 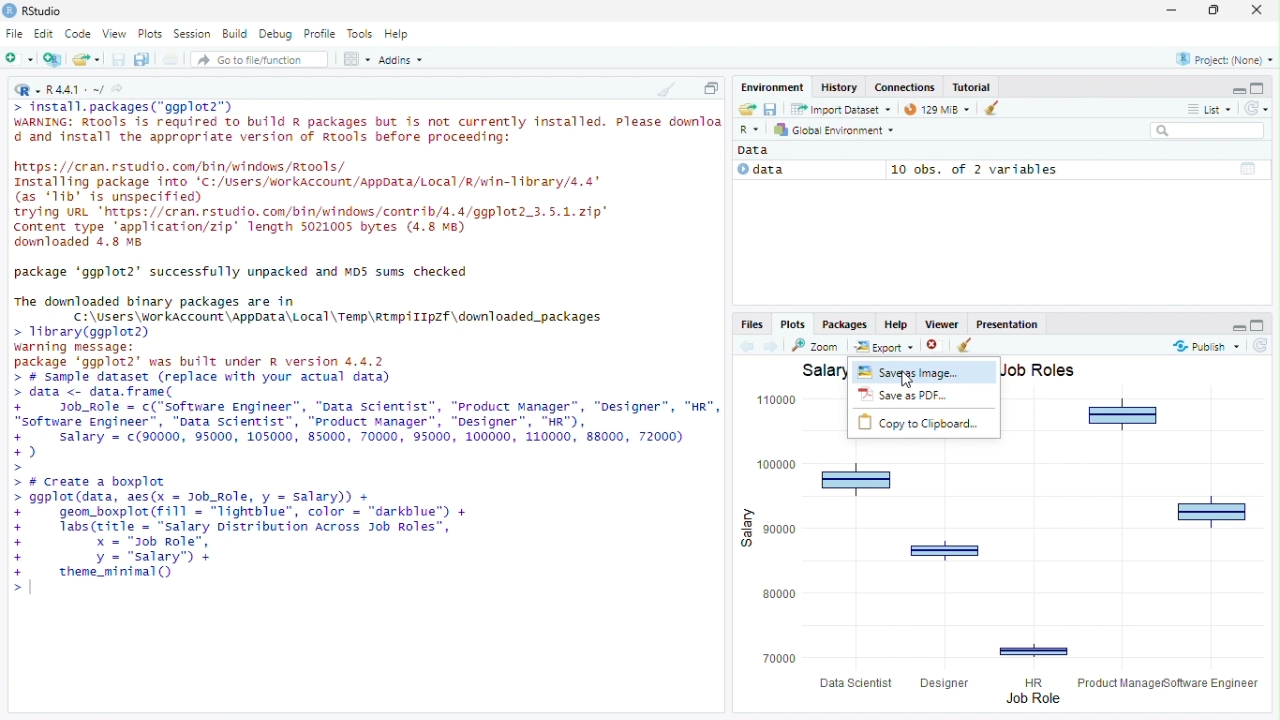 What do you see at coordinates (1006, 580) in the screenshot?
I see `Plot - Salary Distribution Across Job Roles` at bounding box center [1006, 580].